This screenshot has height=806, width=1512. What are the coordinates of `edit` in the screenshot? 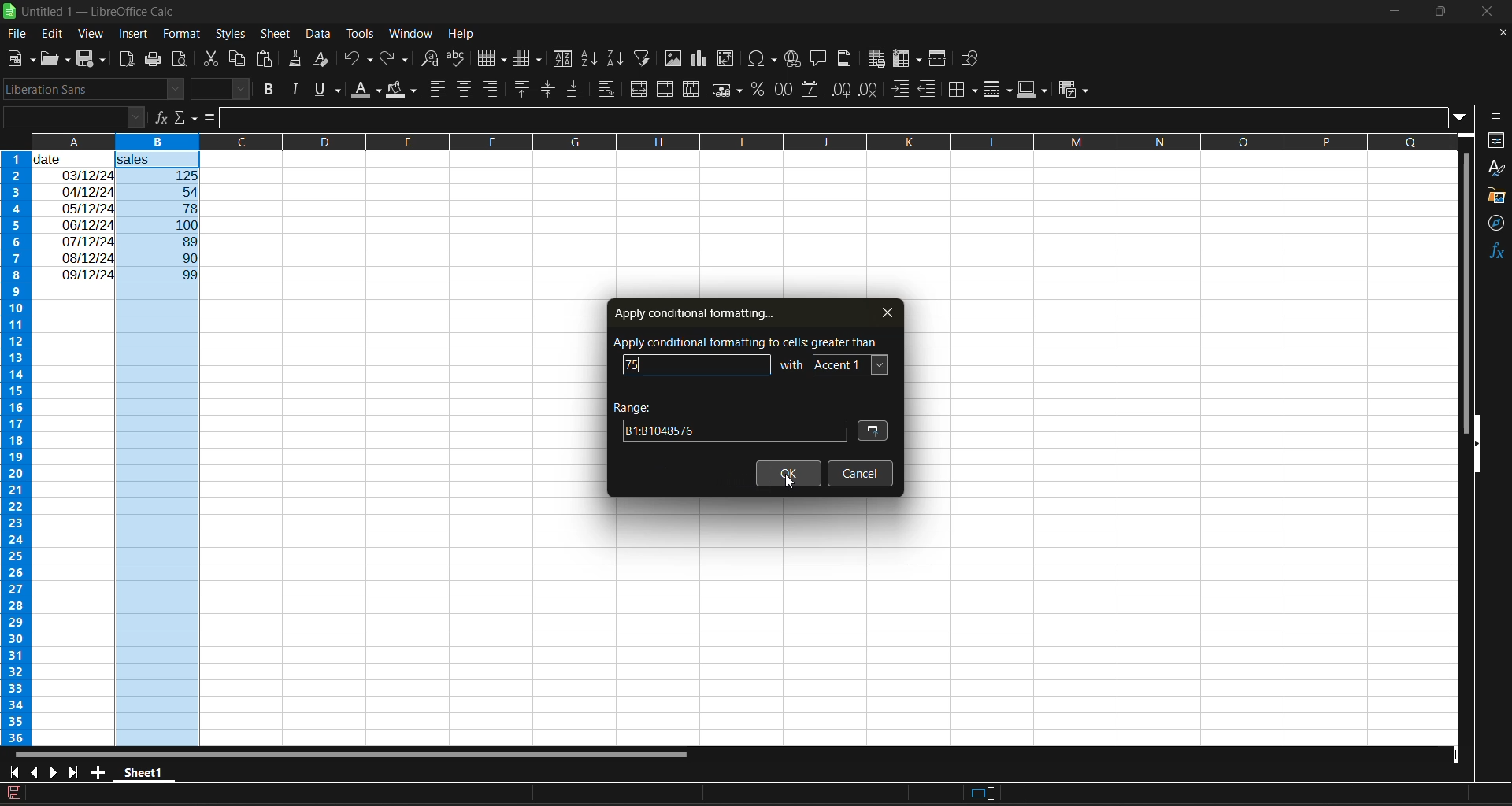 It's located at (55, 32).